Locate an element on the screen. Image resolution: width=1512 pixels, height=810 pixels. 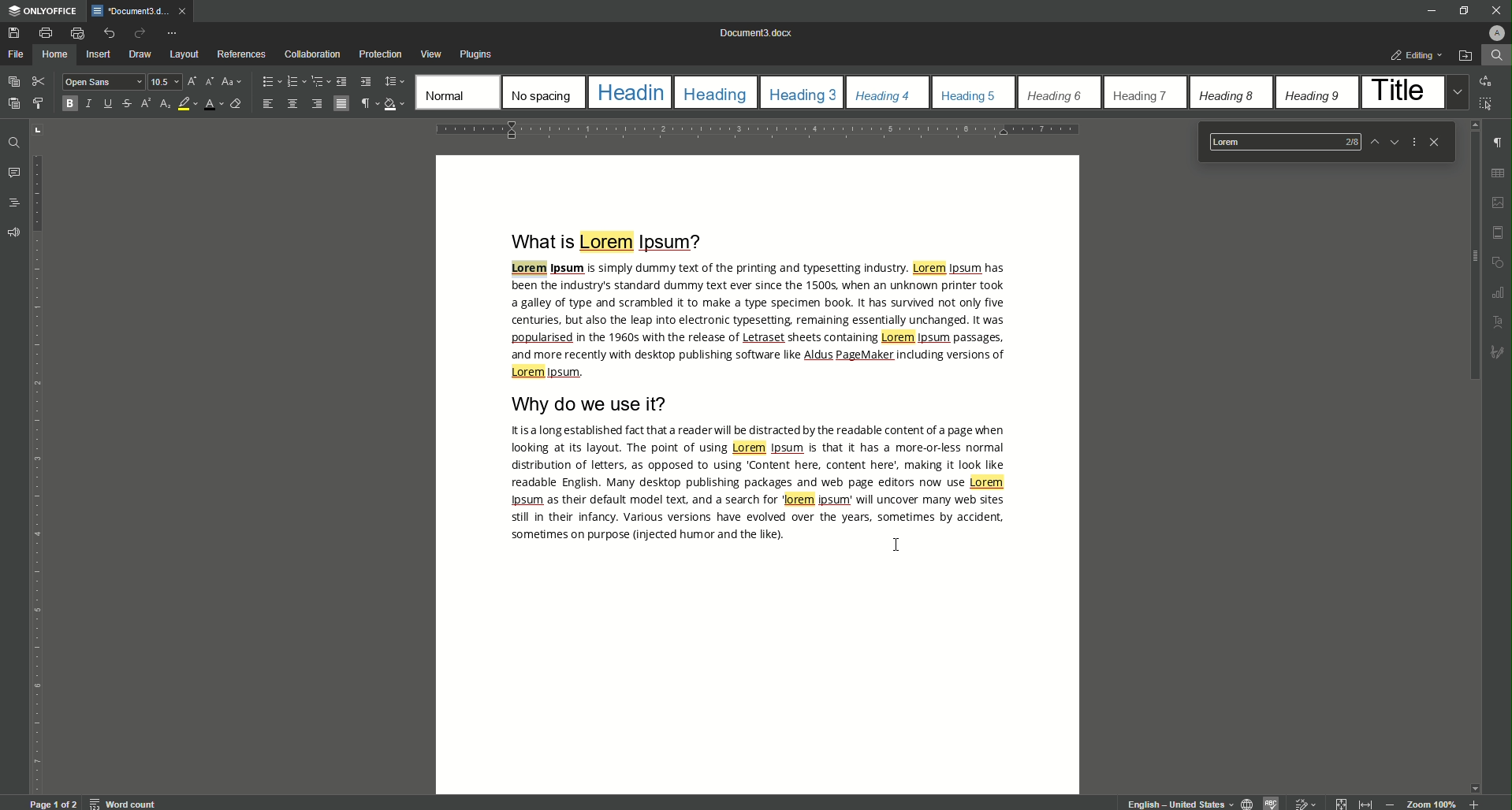
Customize is located at coordinates (177, 34).